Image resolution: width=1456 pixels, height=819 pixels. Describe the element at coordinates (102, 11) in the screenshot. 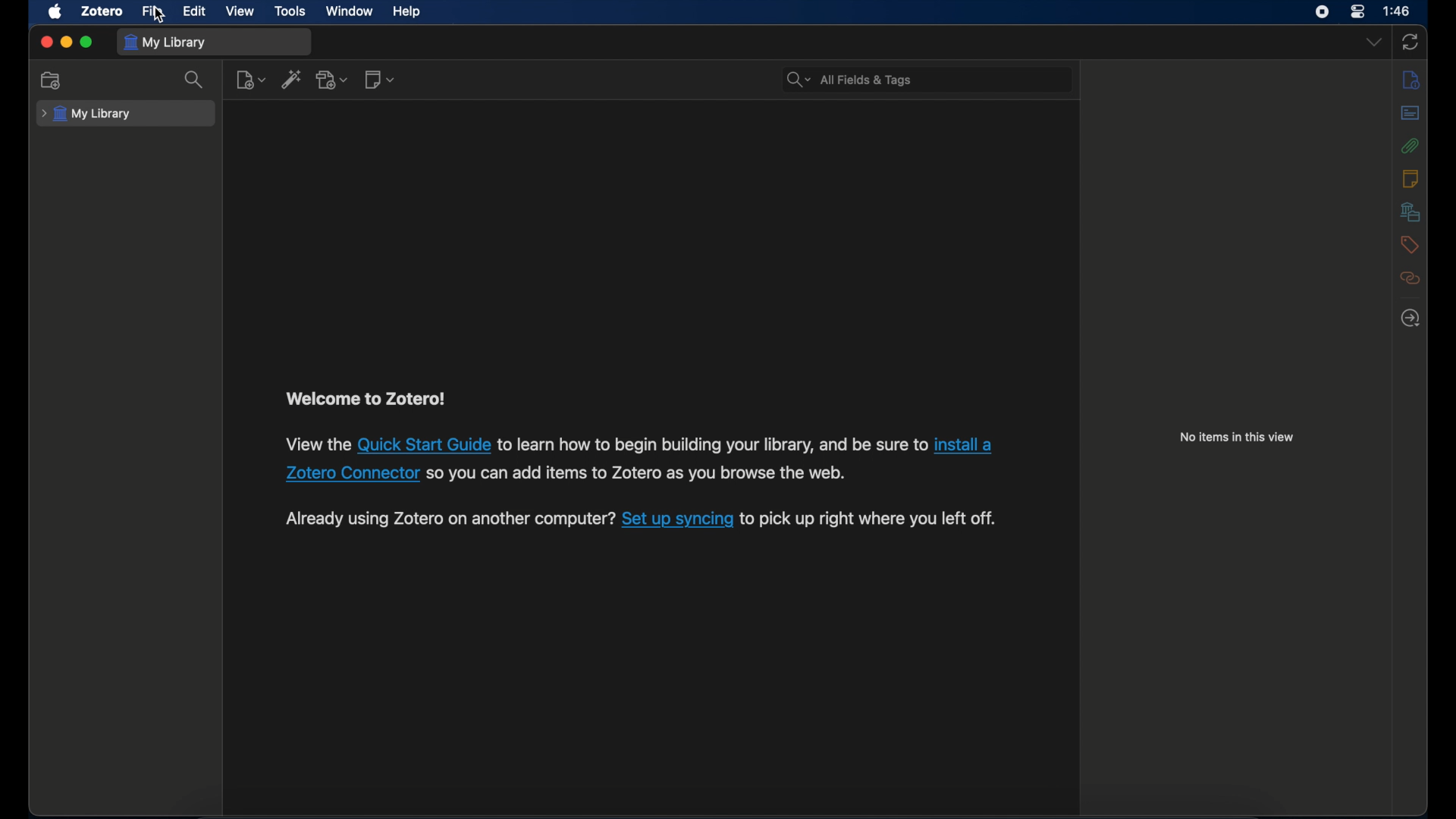

I see `zotero` at that location.